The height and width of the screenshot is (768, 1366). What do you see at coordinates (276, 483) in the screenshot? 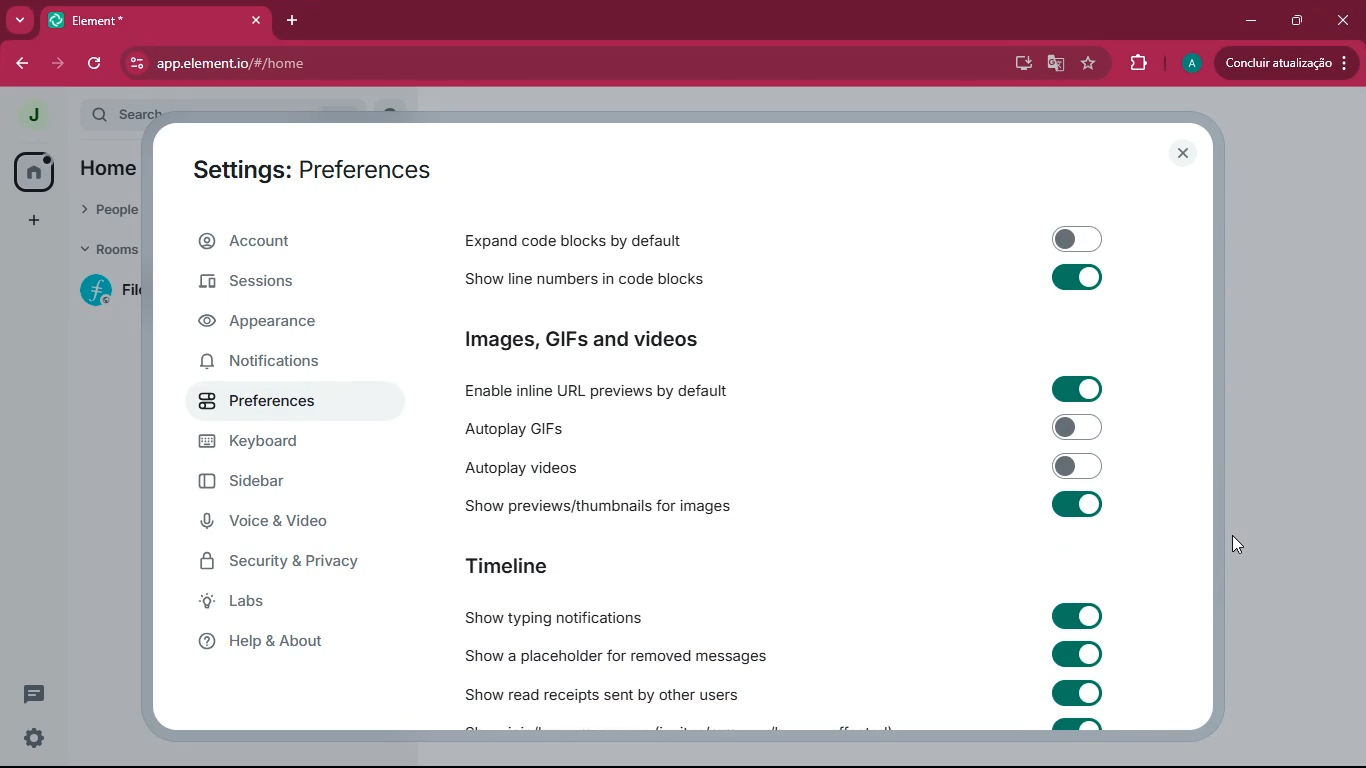
I see `sidebar` at bounding box center [276, 483].